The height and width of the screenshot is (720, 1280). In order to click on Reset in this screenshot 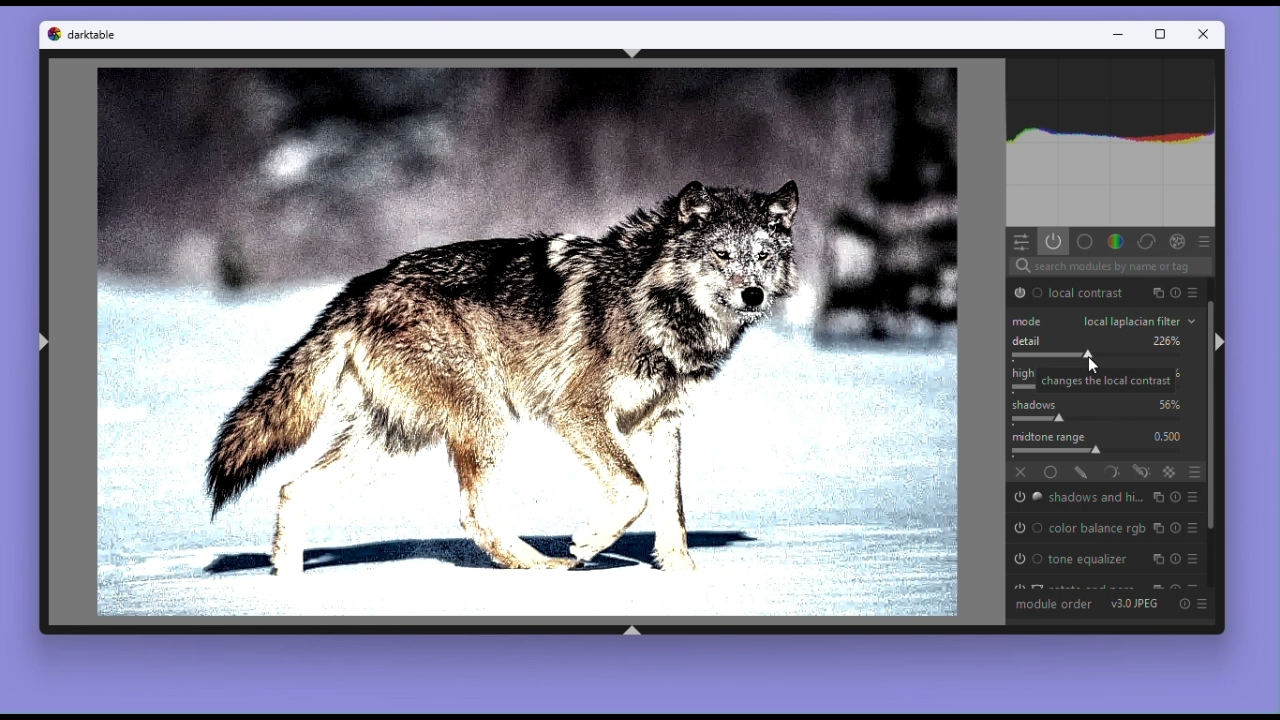, I will do `click(1175, 558)`.